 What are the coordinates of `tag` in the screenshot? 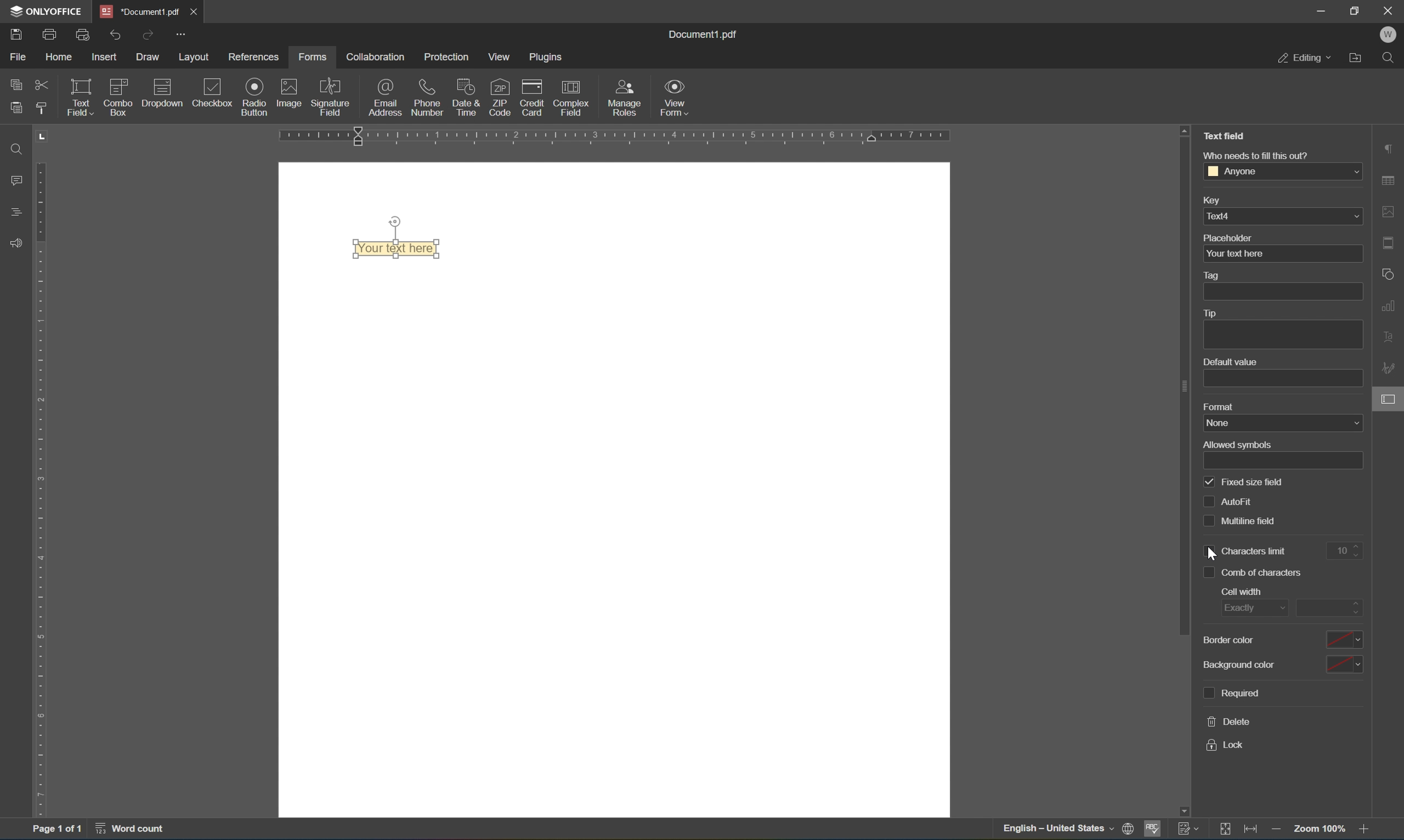 It's located at (1213, 275).